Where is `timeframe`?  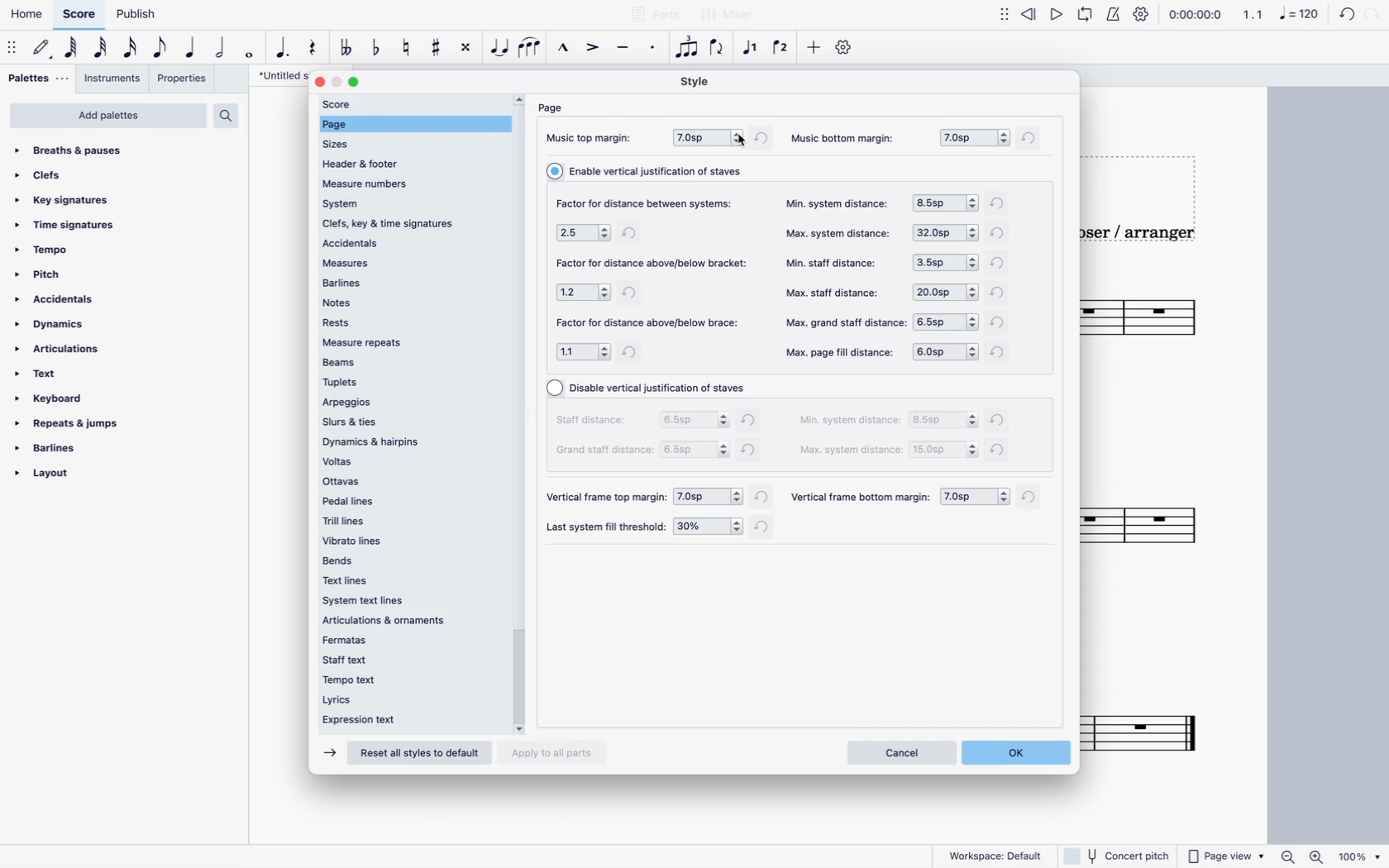
timeframe is located at coordinates (1200, 16).